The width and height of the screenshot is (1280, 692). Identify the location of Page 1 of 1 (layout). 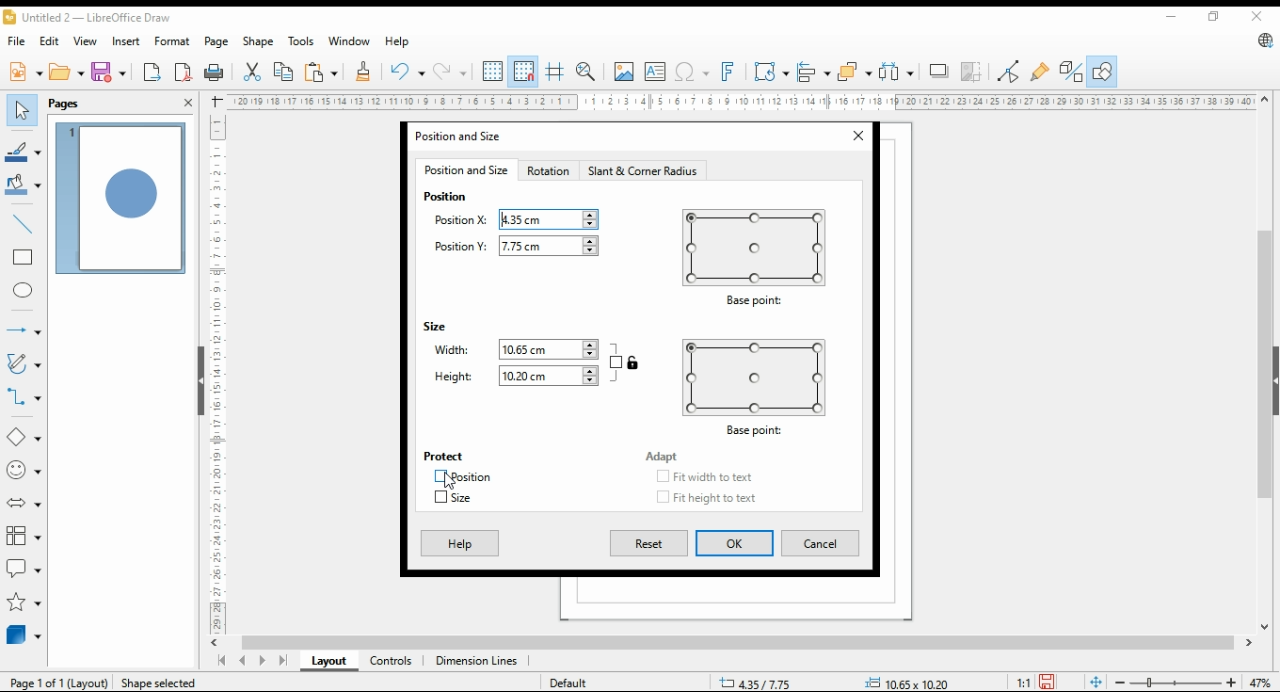
(60, 684).